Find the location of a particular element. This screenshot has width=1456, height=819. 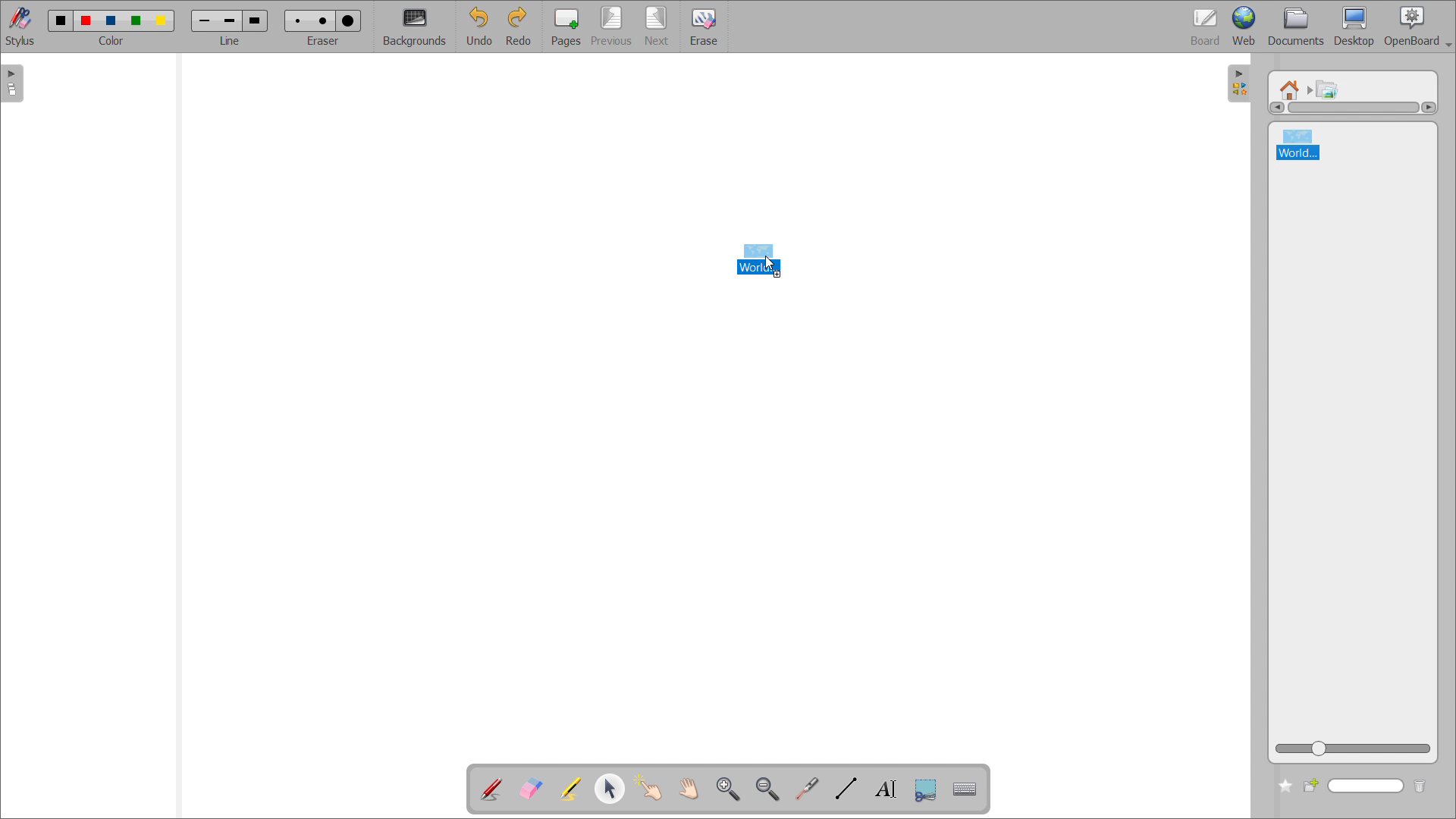

zoom out is located at coordinates (767, 789).